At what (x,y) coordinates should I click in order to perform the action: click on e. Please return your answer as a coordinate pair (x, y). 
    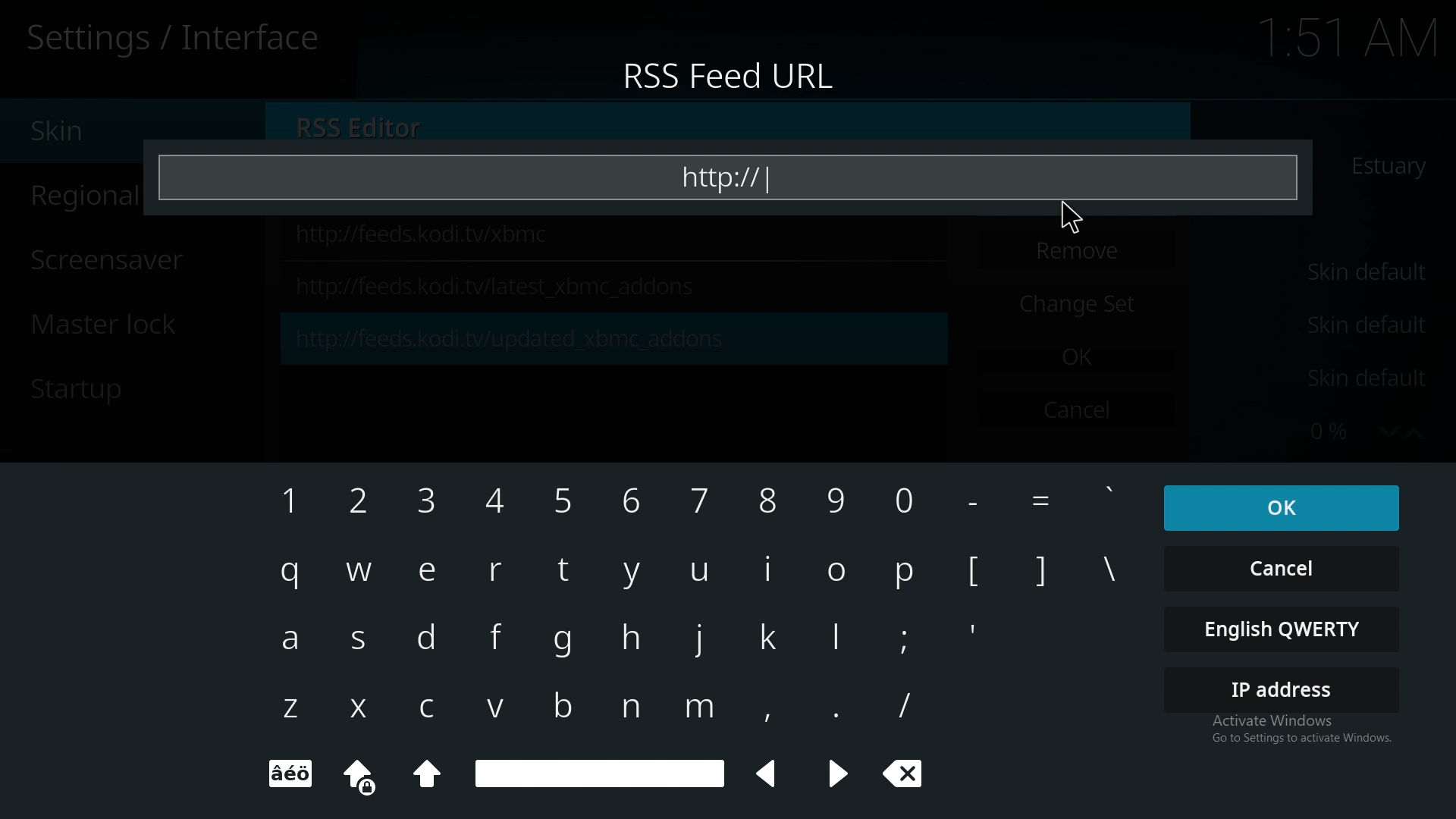
    Looking at the image, I should click on (435, 573).